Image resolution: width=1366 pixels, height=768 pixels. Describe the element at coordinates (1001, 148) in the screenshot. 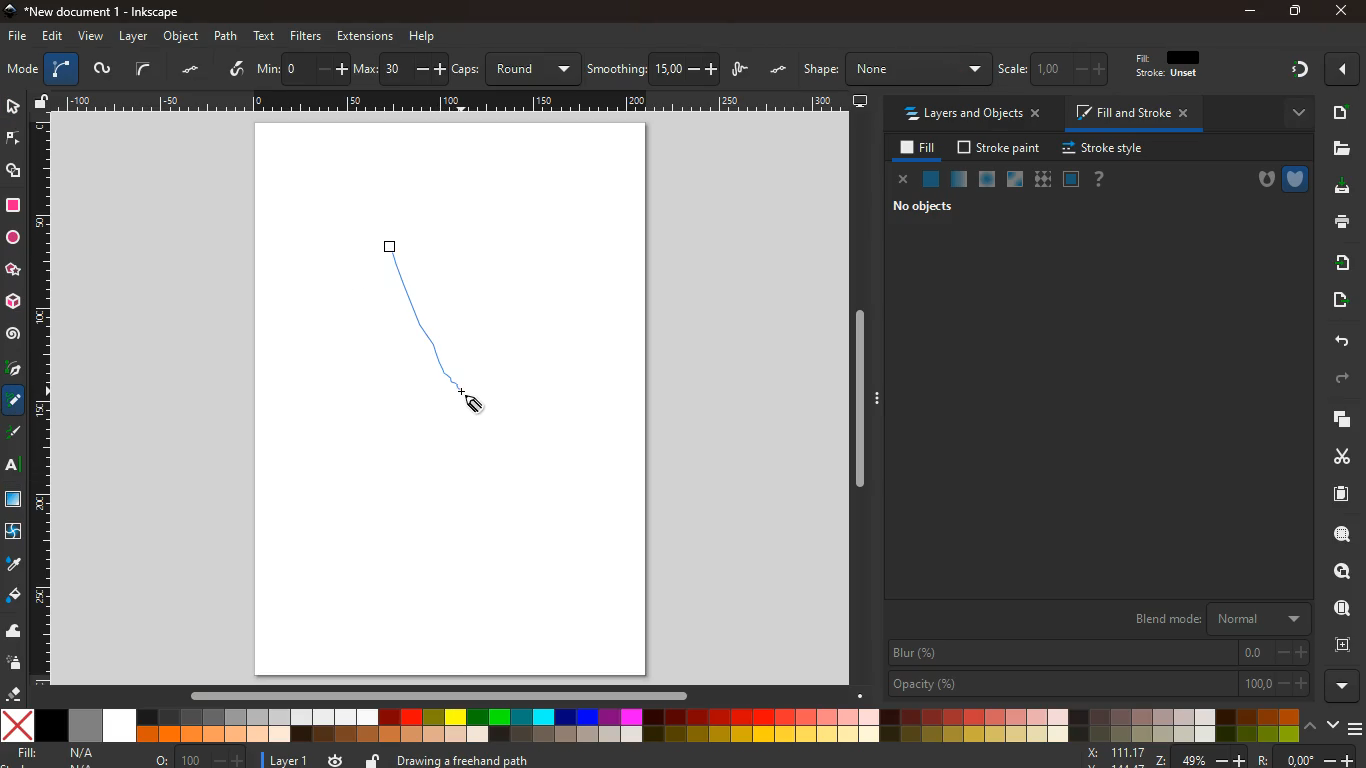

I see `stroke paint` at that location.